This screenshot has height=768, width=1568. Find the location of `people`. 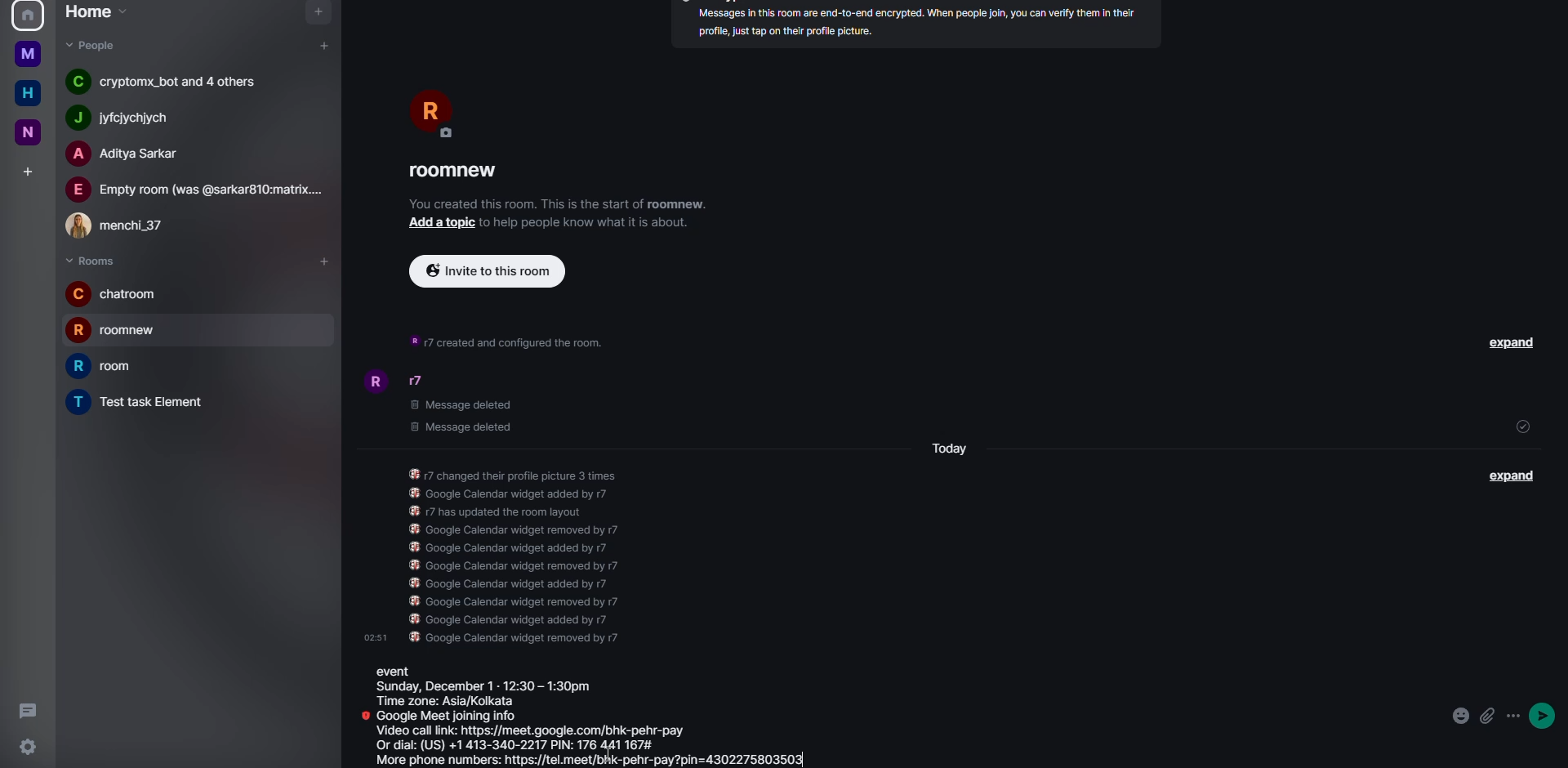

people is located at coordinates (122, 225).